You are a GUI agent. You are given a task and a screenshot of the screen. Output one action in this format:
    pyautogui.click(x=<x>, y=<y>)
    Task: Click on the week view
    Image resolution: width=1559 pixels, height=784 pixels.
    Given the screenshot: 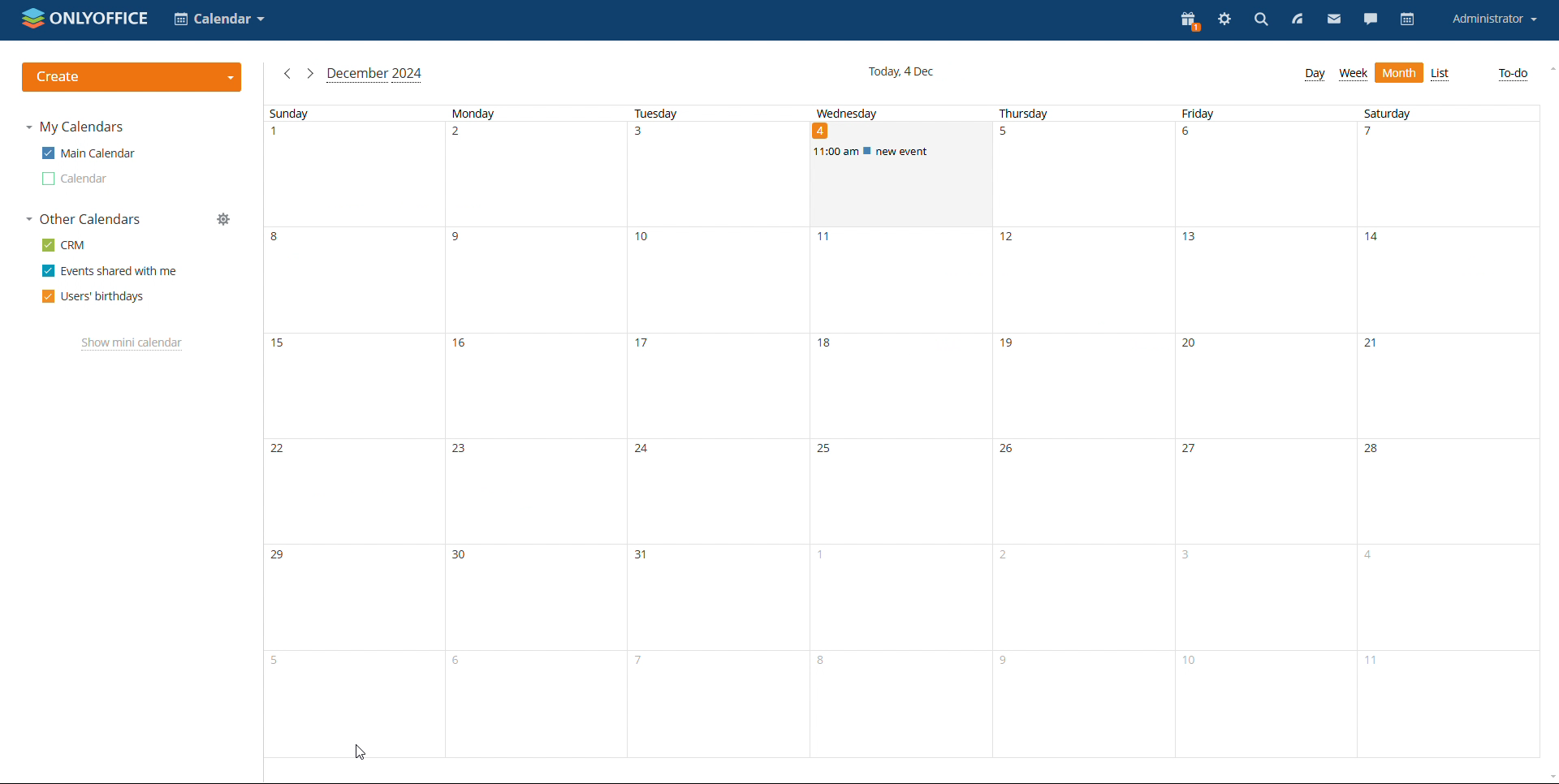 What is the action you would take?
    pyautogui.click(x=1353, y=75)
    